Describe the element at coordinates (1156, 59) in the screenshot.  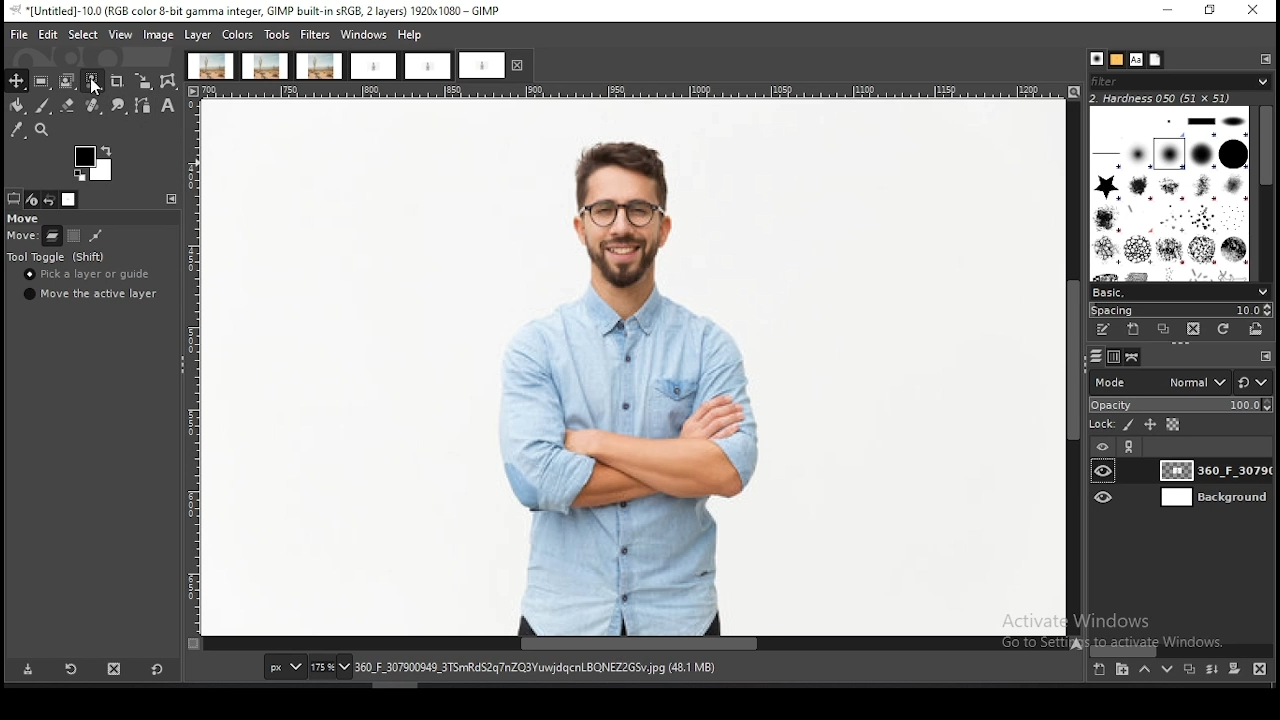
I see `document history` at that location.